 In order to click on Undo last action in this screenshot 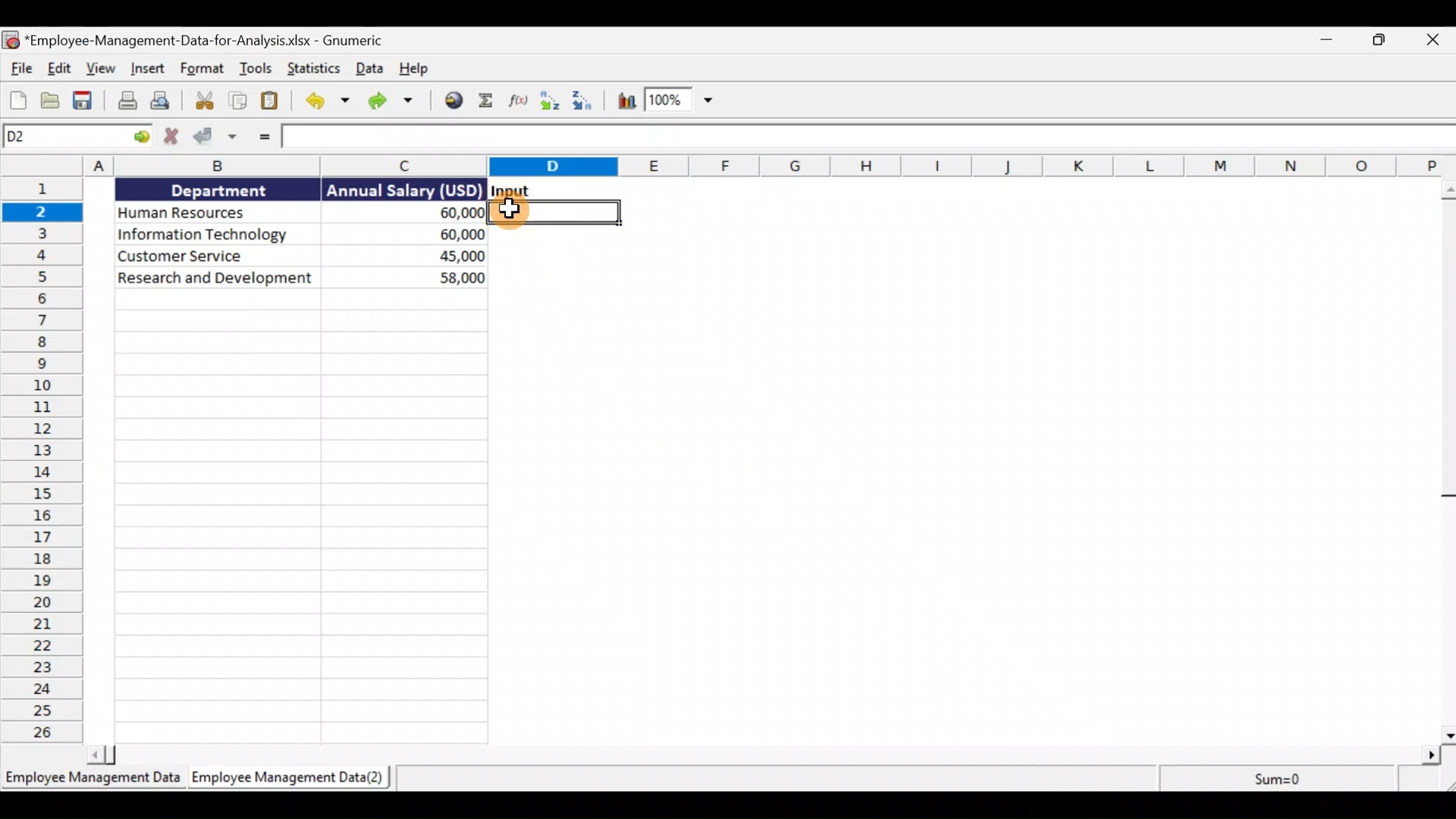, I will do `click(325, 102)`.